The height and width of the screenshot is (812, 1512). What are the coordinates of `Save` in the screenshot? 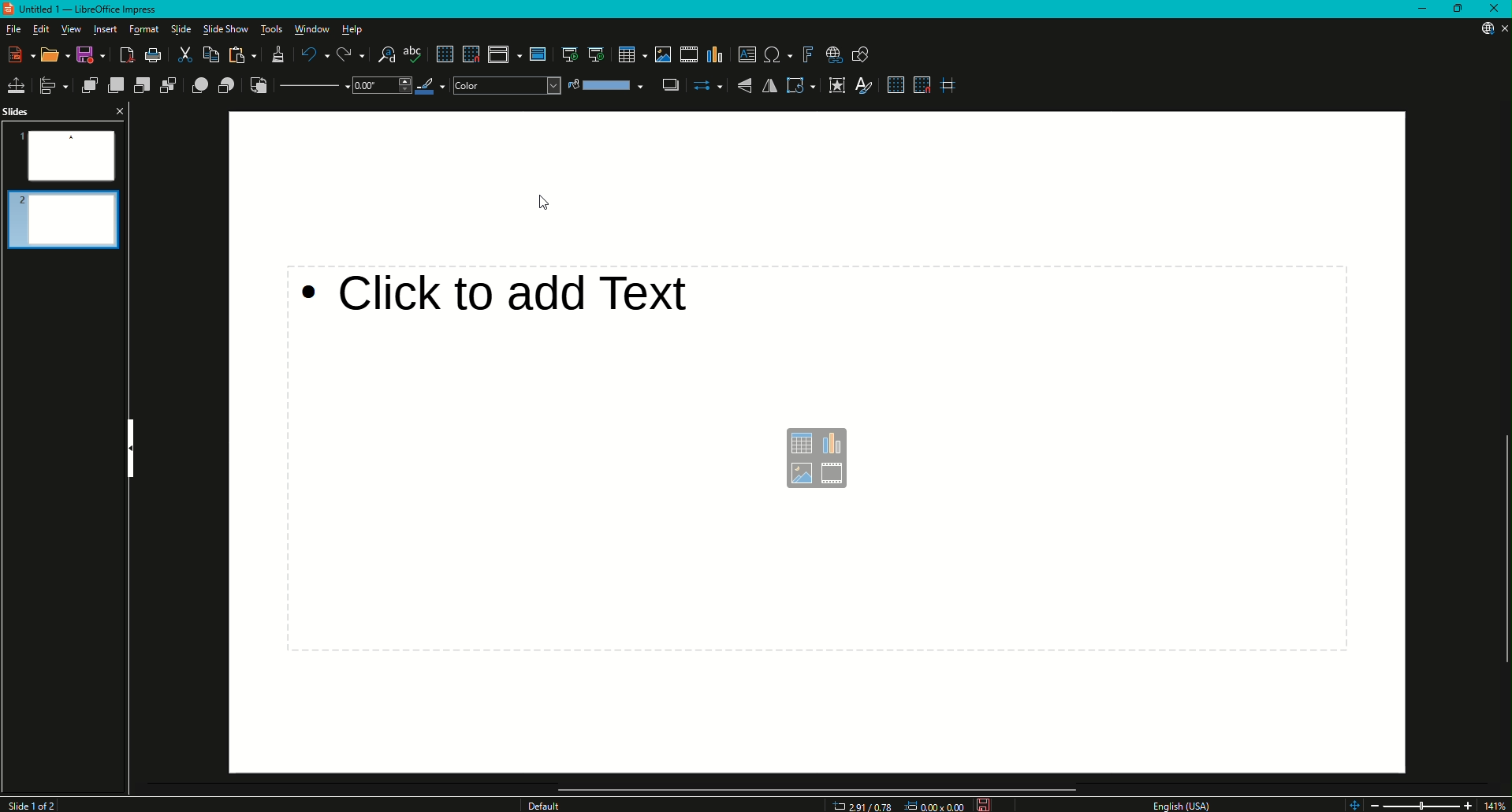 It's located at (87, 54).